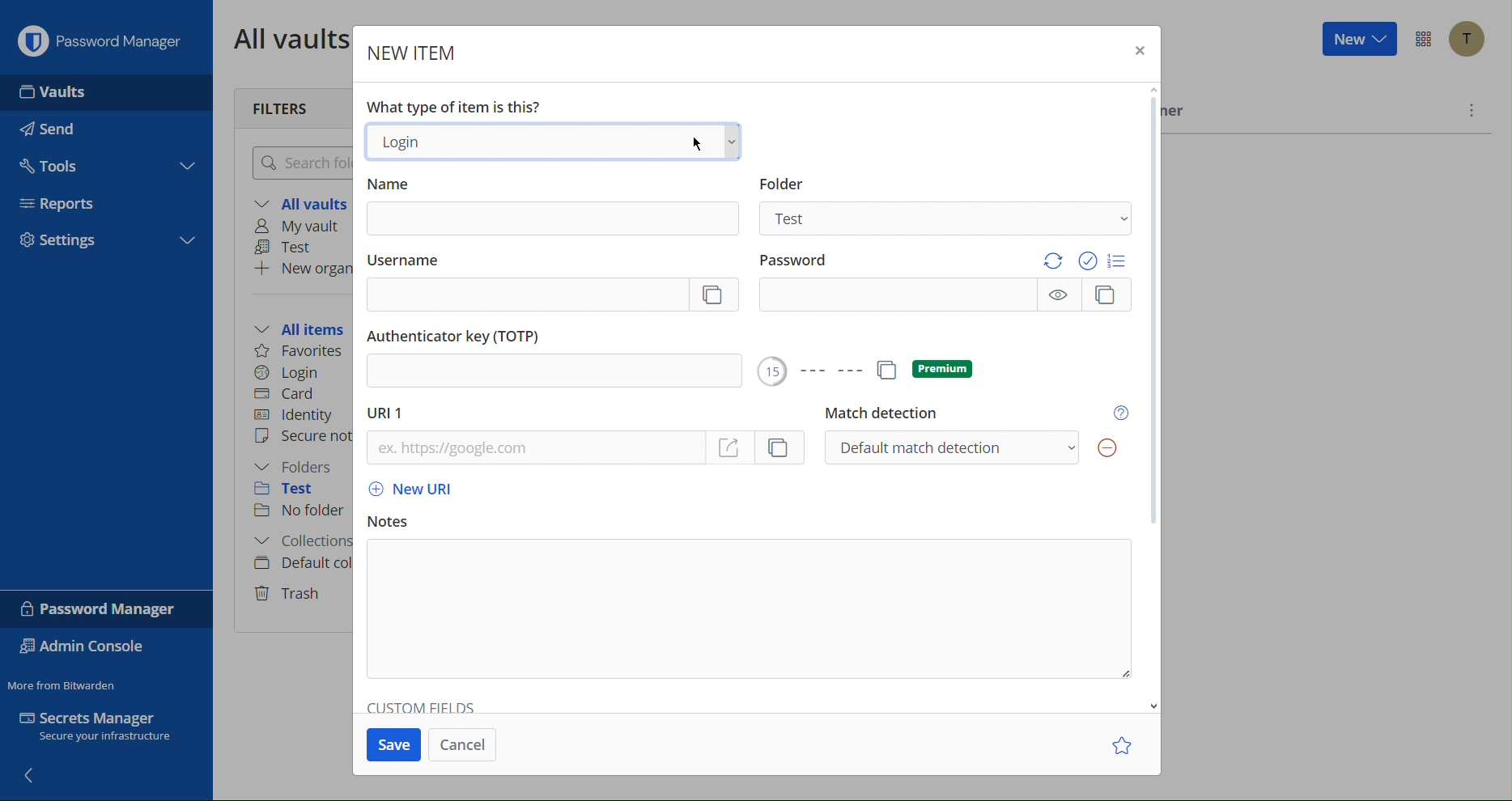  I want to click on All items, so click(299, 328).